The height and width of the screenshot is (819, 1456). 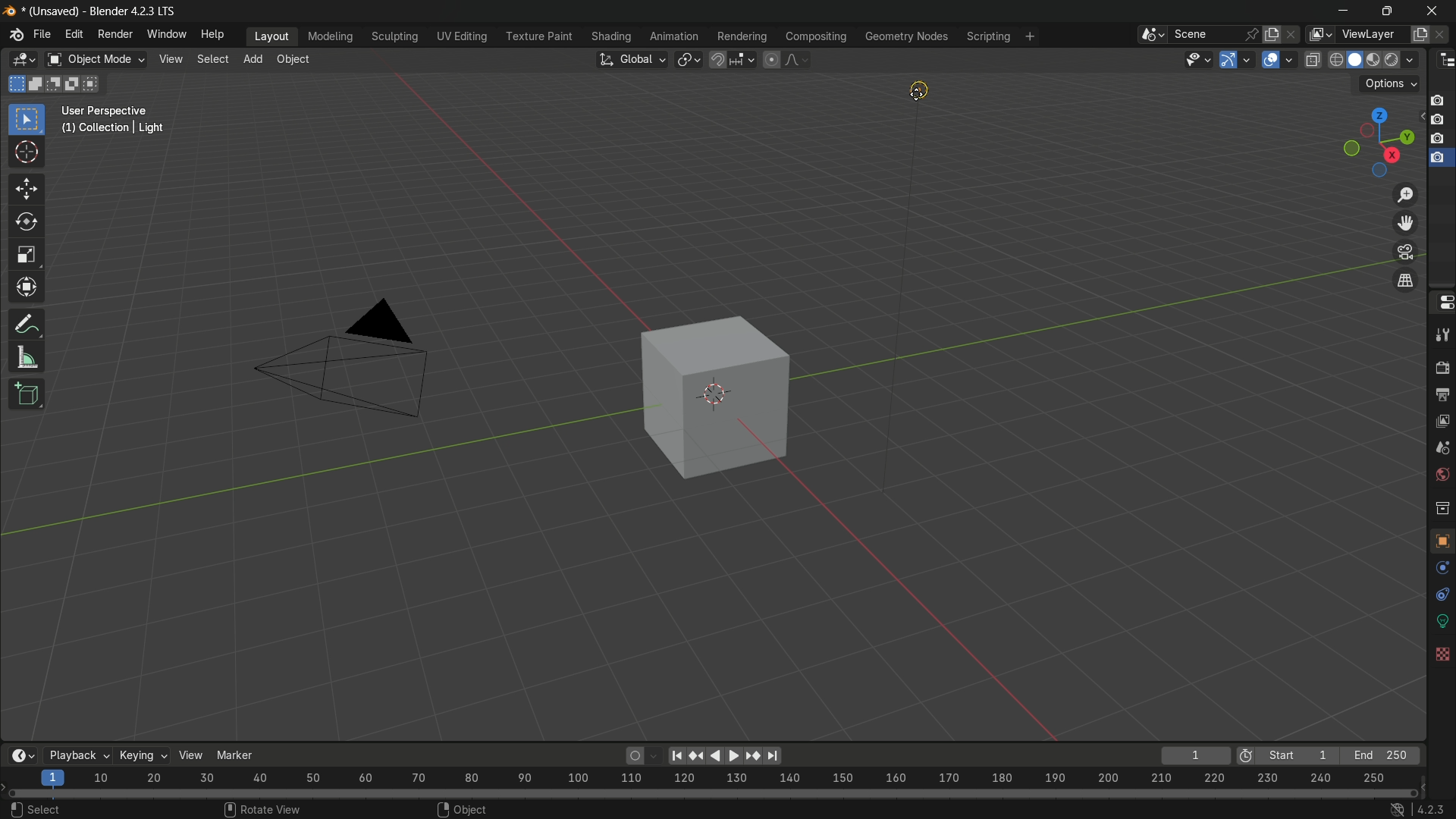 I want to click on collections, so click(x=1439, y=508).